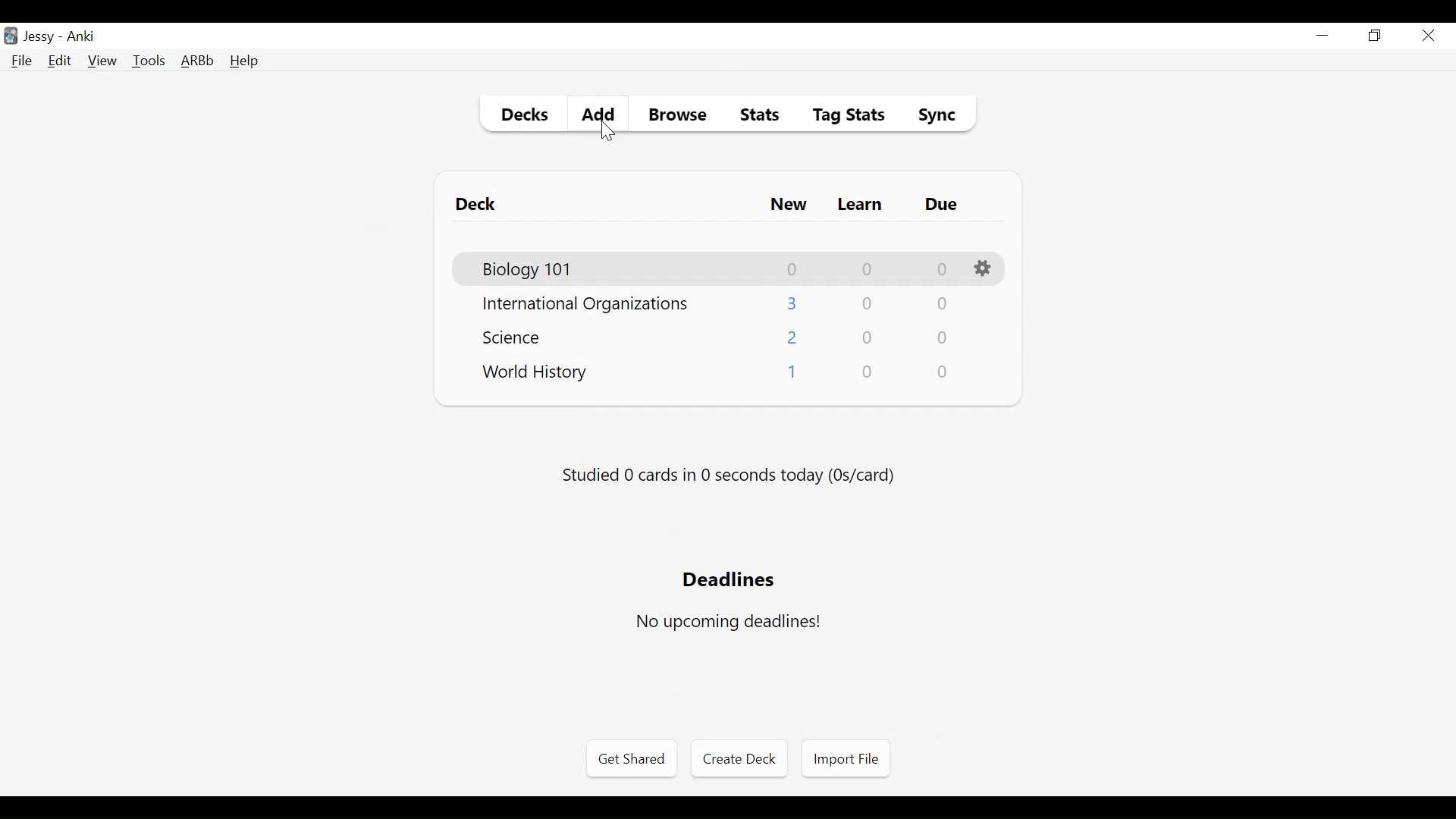 The width and height of the screenshot is (1456, 819). What do you see at coordinates (1322, 36) in the screenshot?
I see `minimize` at bounding box center [1322, 36].